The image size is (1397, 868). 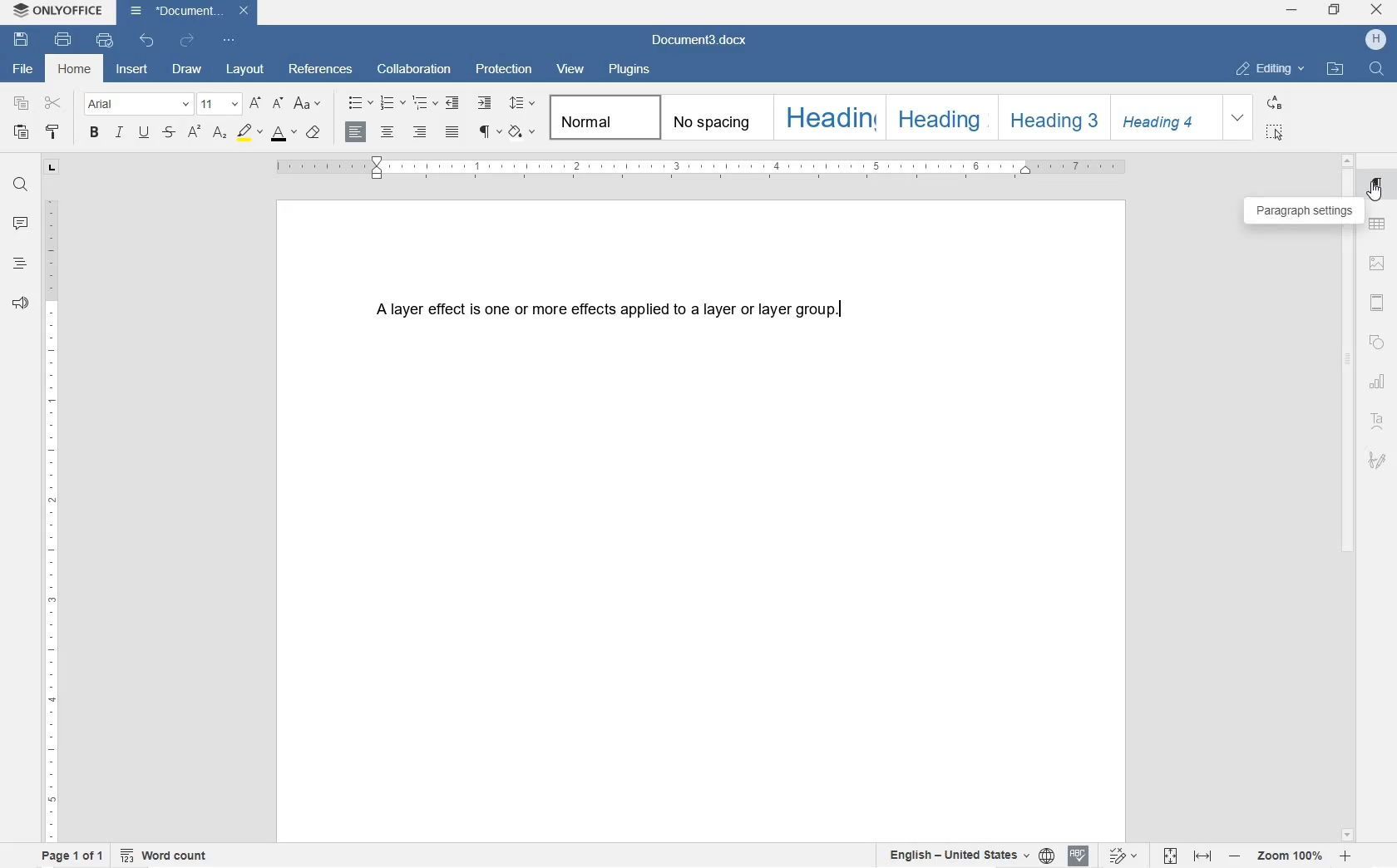 I want to click on SELECT ALL, so click(x=1275, y=131).